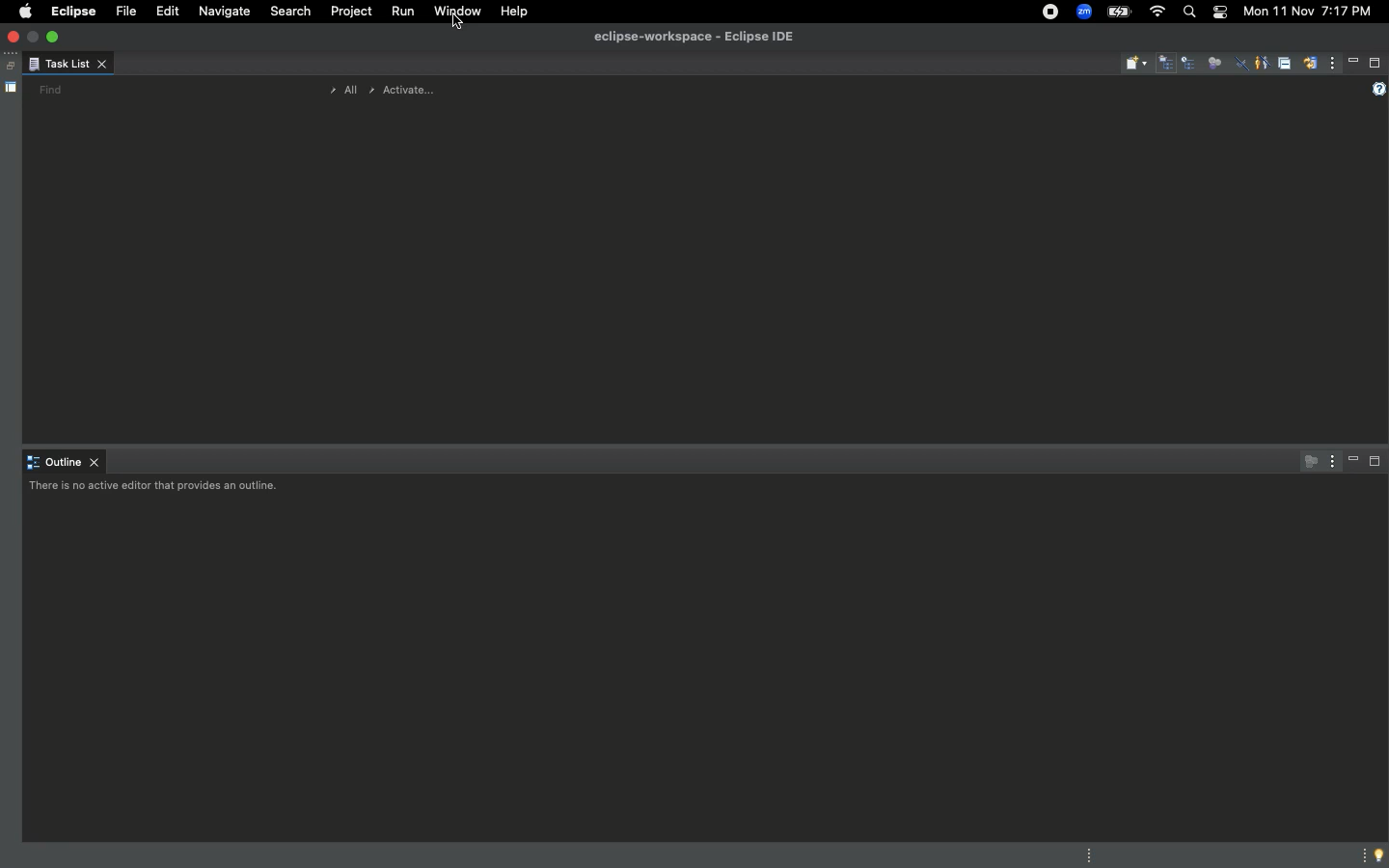 This screenshot has height=868, width=1389. What do you see at coordinates (1354, 461) in the screenshot?
I see `Minimize` at bounding box center [1354, 461].